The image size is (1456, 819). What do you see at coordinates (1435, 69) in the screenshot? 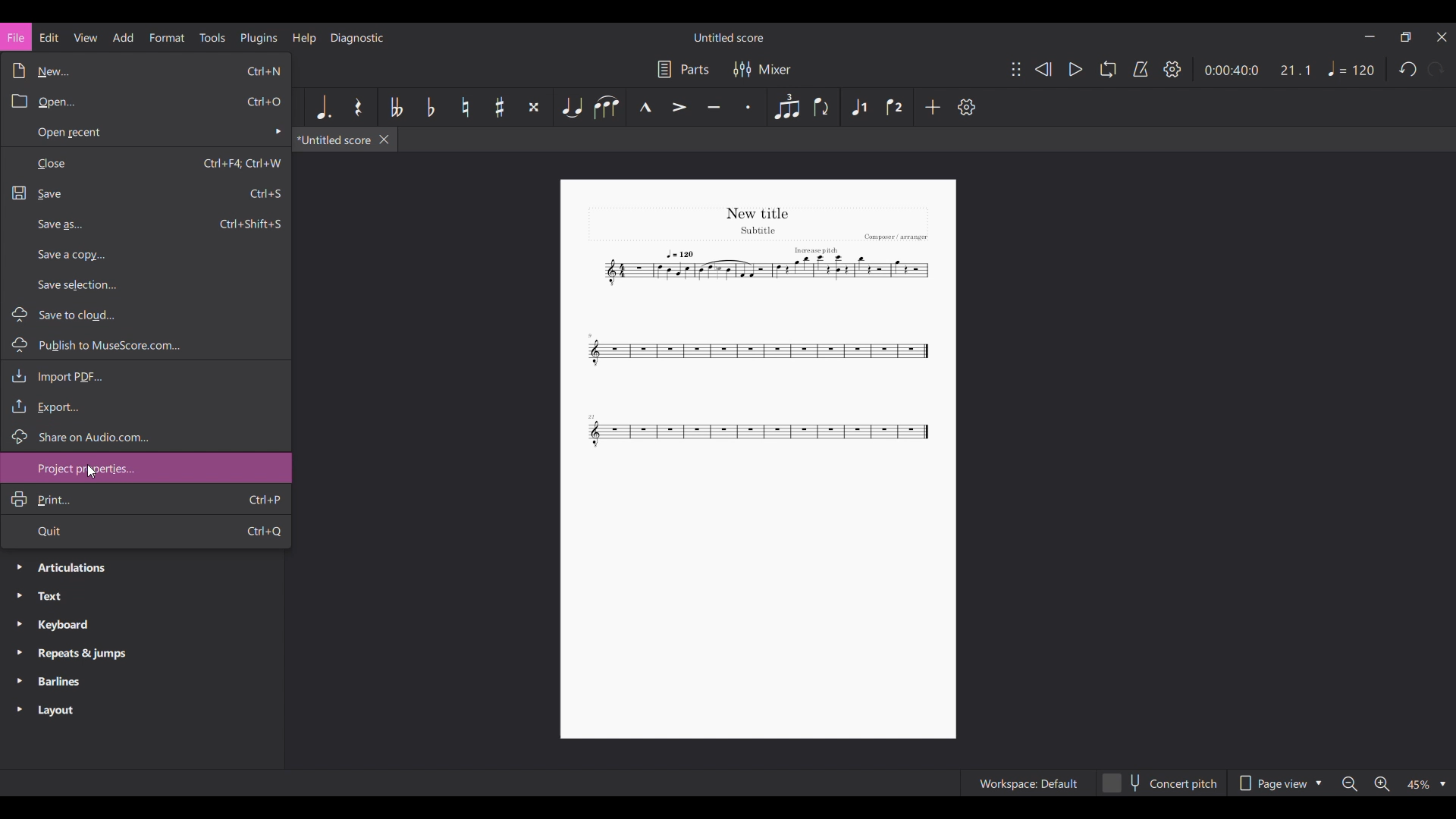
I see `Redo` at bounding box center [1435, 69].